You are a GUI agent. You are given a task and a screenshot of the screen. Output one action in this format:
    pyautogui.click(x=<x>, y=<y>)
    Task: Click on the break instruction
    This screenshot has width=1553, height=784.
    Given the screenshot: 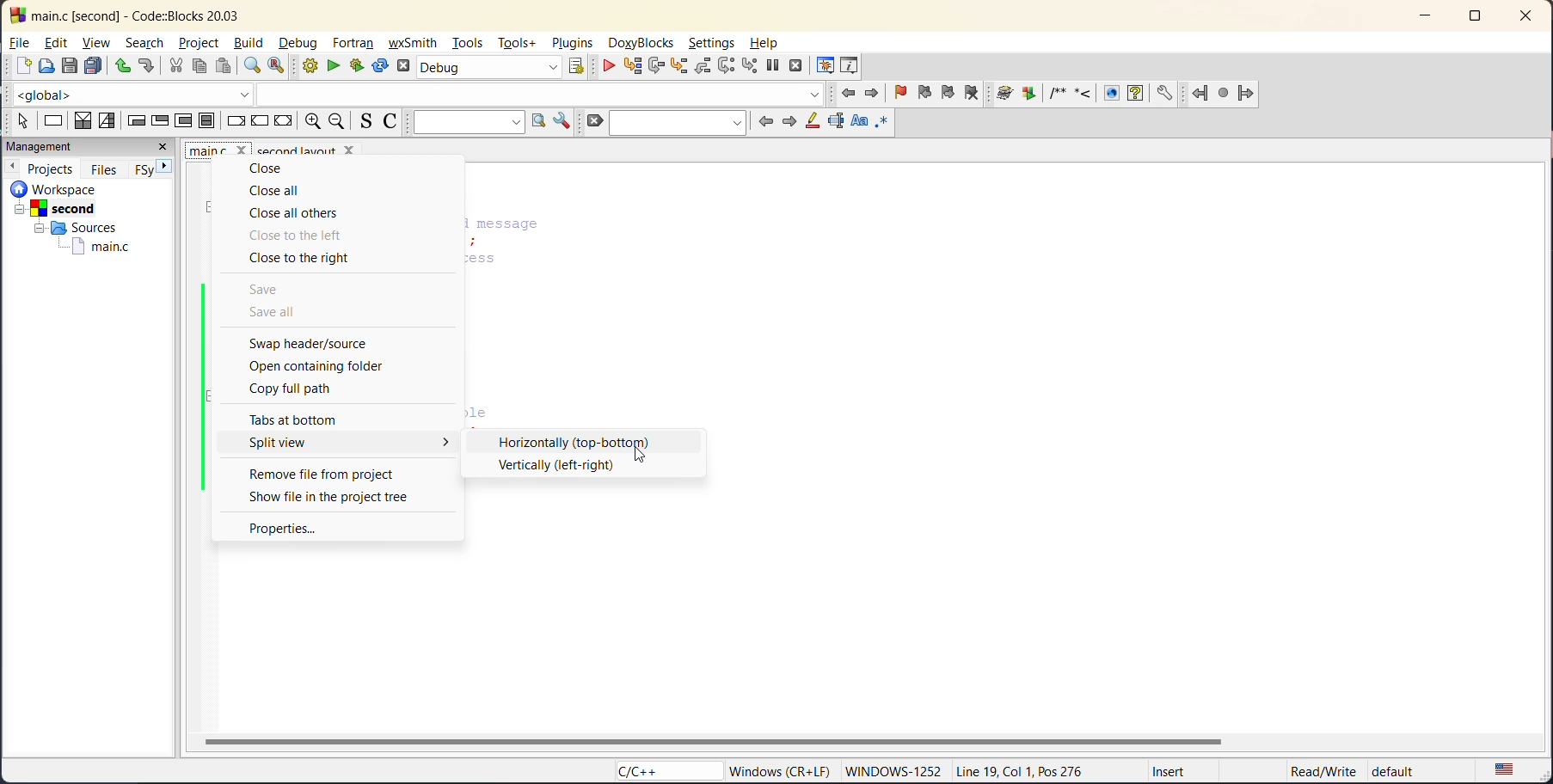 What is the action you would take?
    pyautogui.click(x=233, y=121)
    